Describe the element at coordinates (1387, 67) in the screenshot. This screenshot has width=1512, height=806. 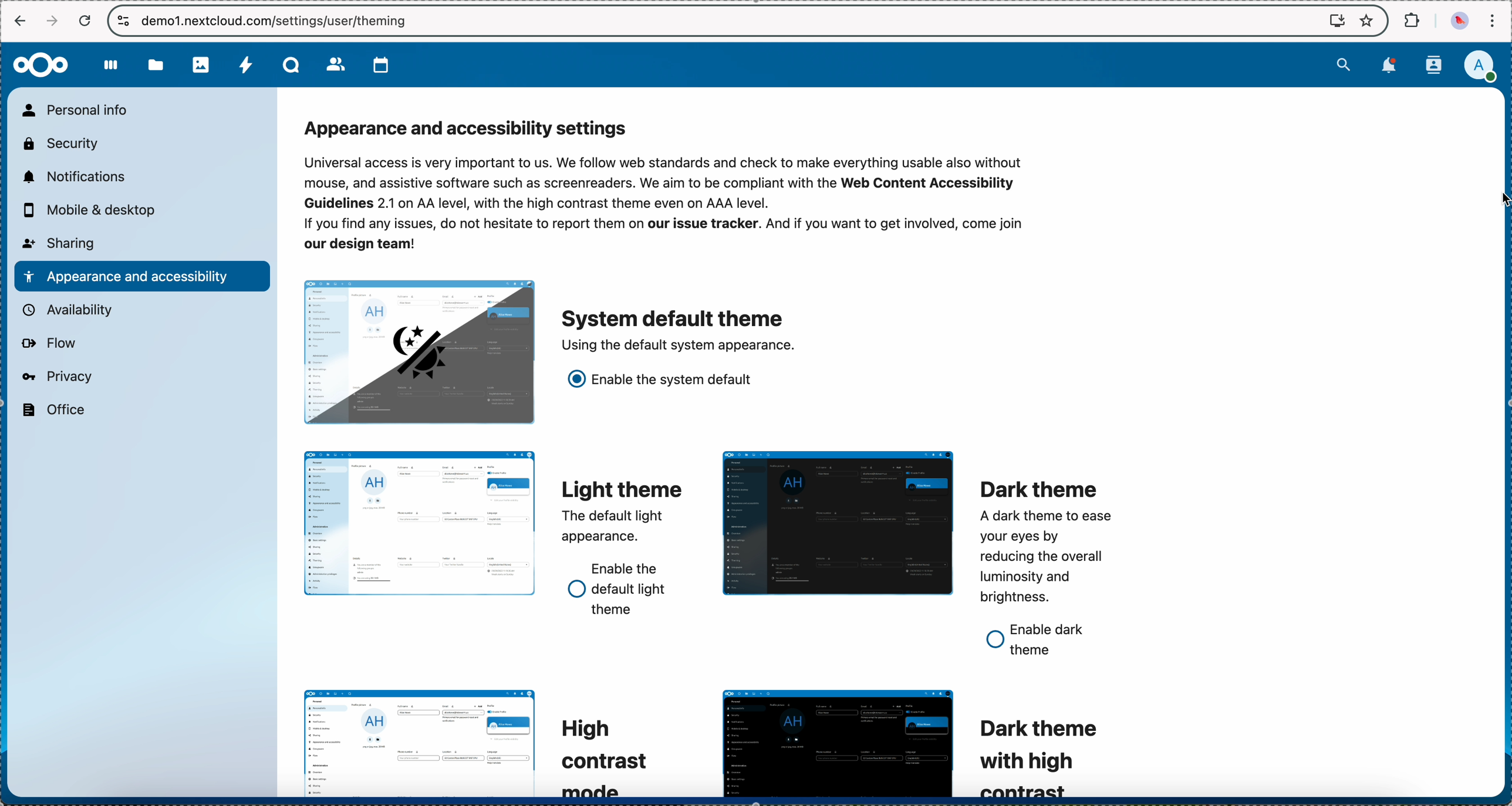
I see `notifications` at that location.